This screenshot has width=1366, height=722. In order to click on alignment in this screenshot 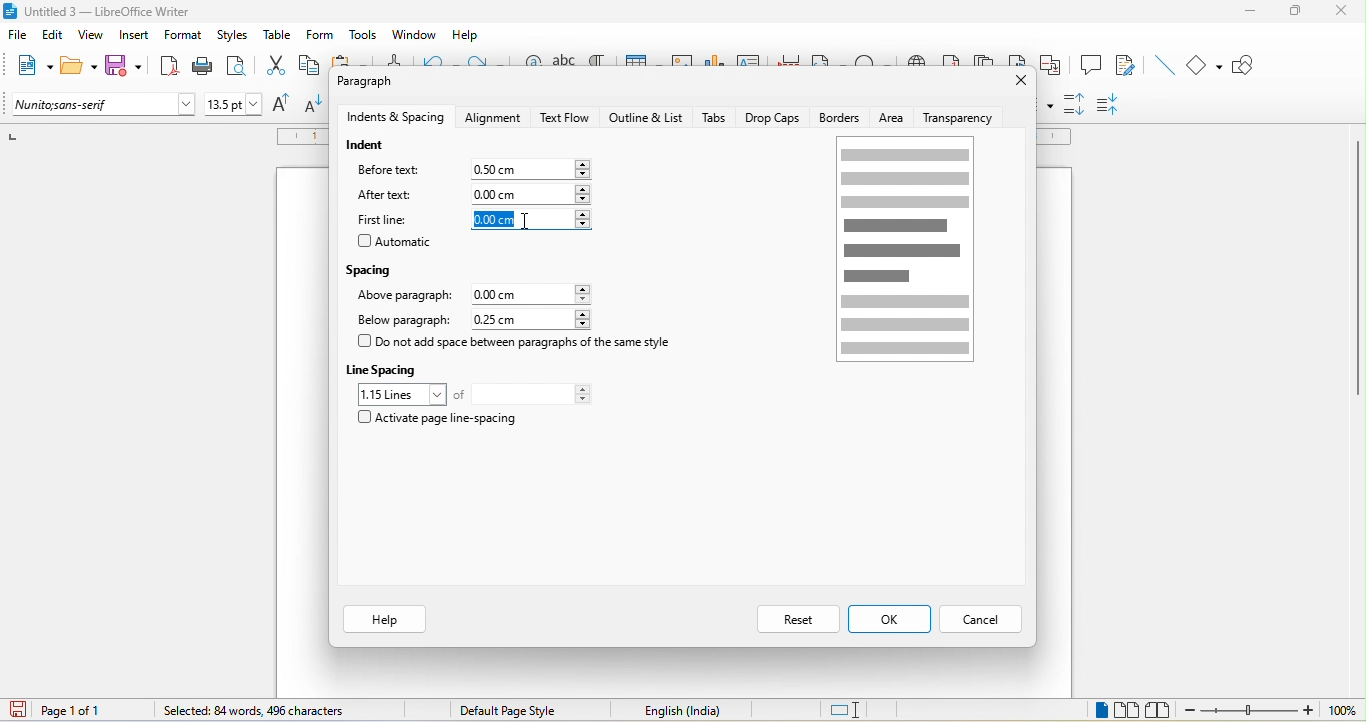, I will do `click(492, 115)`.